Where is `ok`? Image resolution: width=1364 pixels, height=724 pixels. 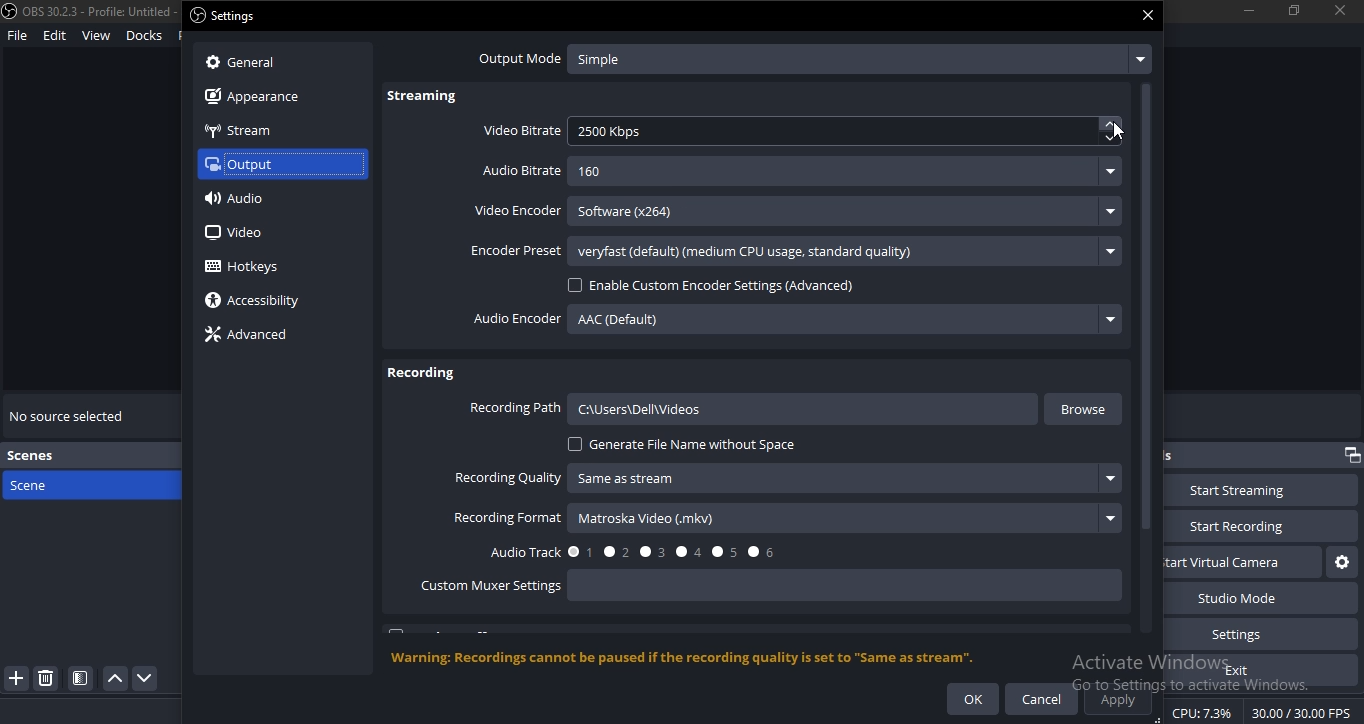
ok is located at coordinates (973, 699).